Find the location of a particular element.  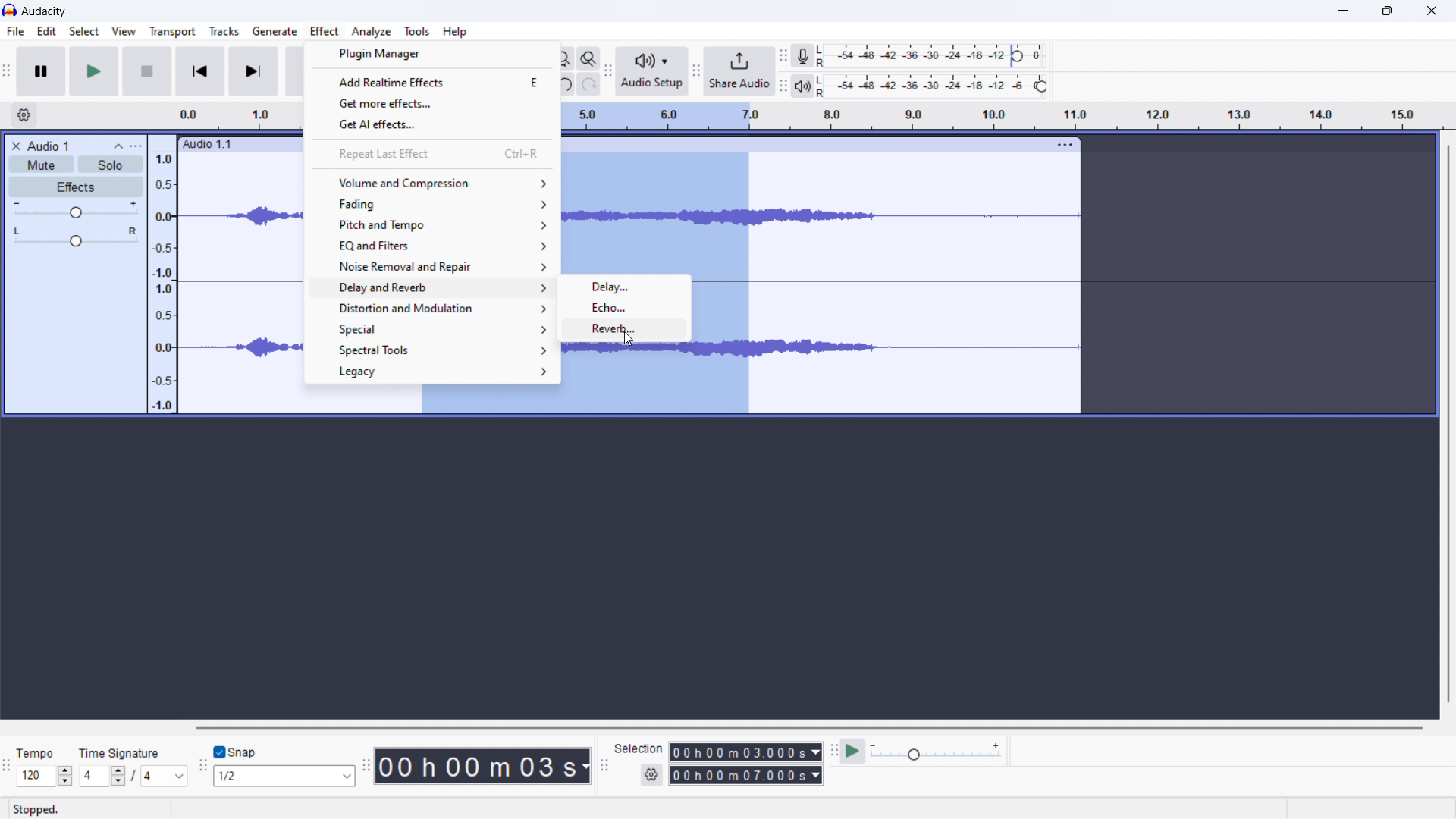

mute is located at coordinates (41, 165).